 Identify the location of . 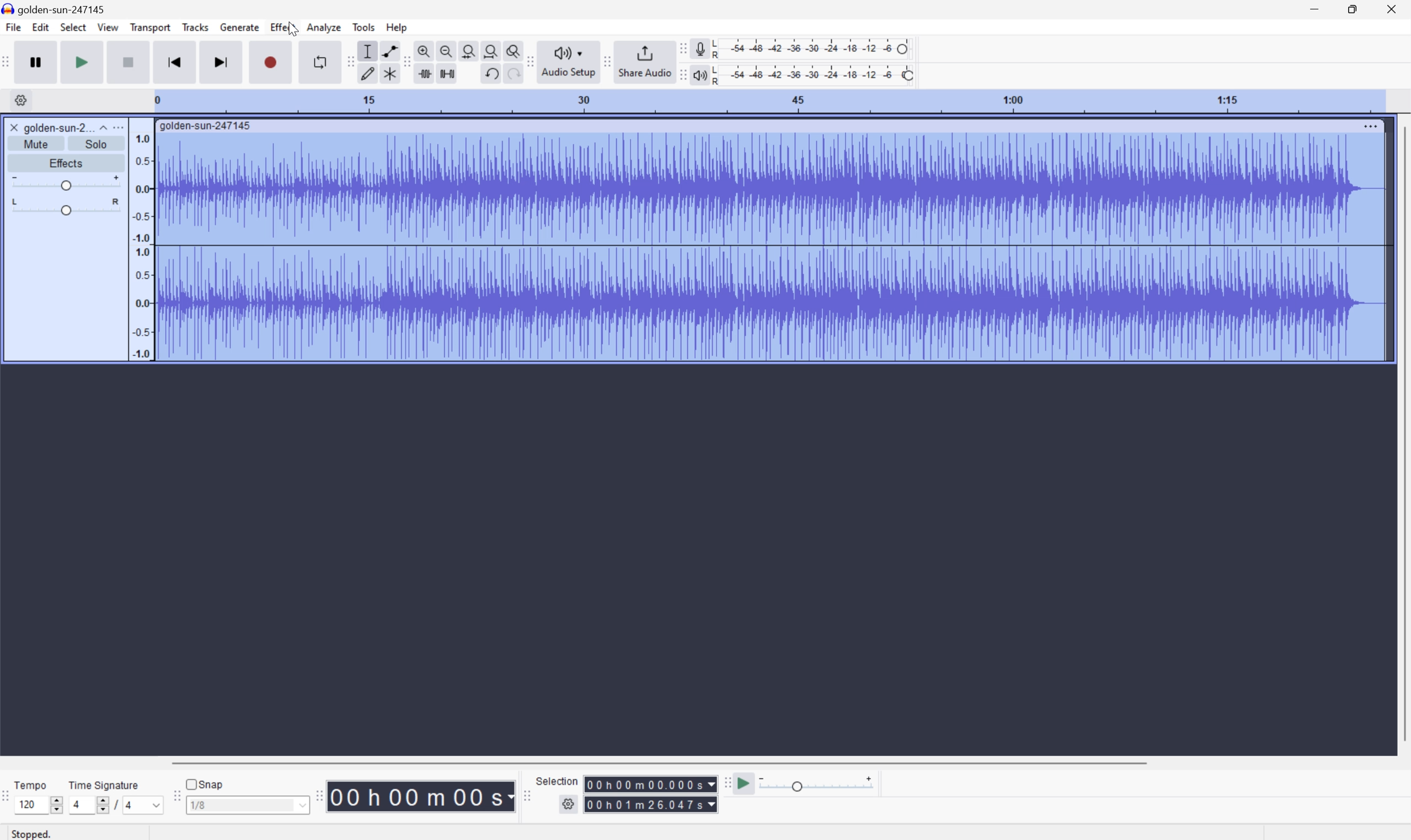
(650, 784).